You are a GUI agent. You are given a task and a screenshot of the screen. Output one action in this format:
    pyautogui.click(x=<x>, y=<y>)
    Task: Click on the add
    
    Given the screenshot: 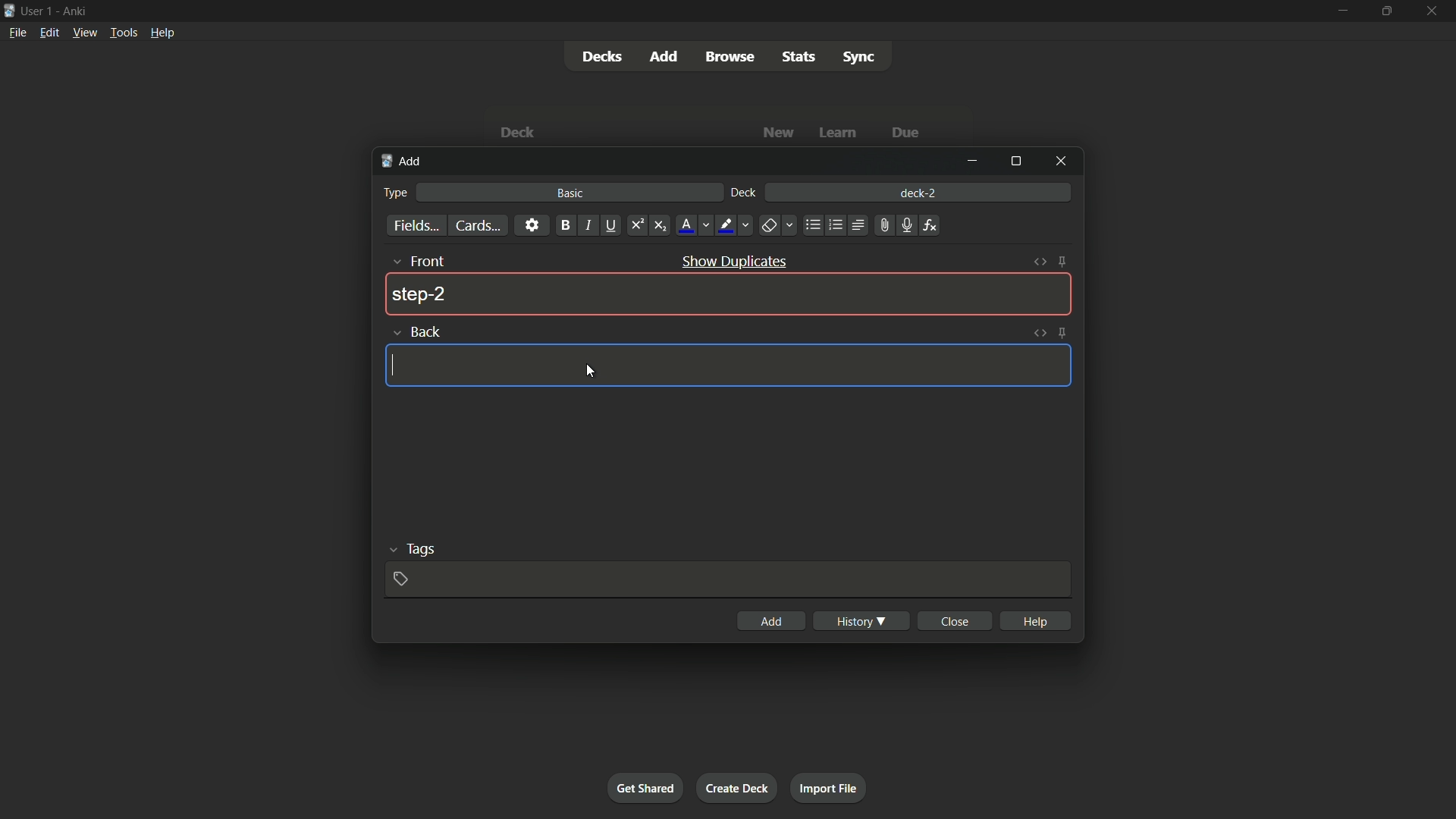 What is the action you would take?
    pyautogui.click(x=662, y=56)
    